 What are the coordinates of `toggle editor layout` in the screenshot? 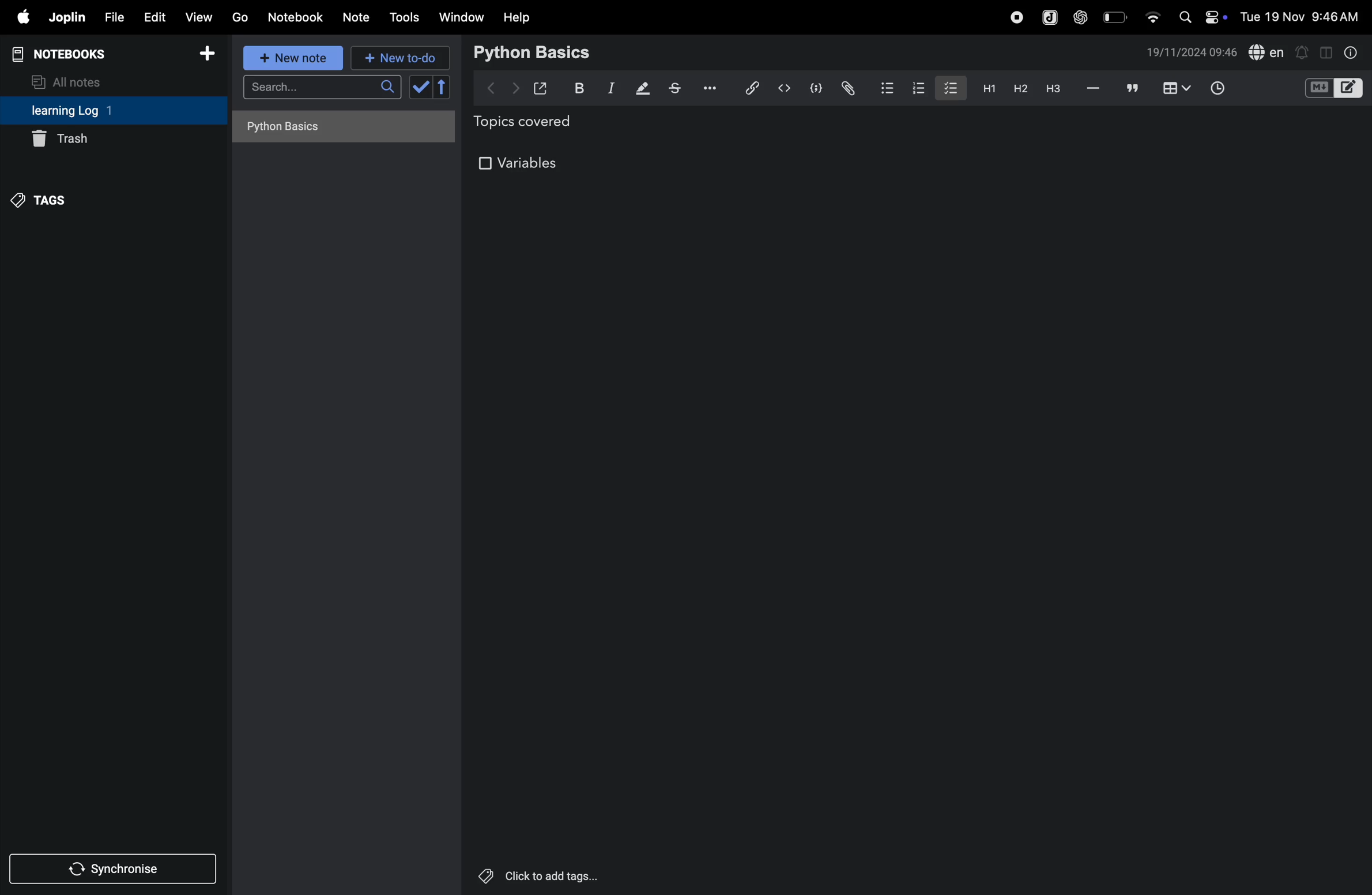 It's located at (1327, 51).